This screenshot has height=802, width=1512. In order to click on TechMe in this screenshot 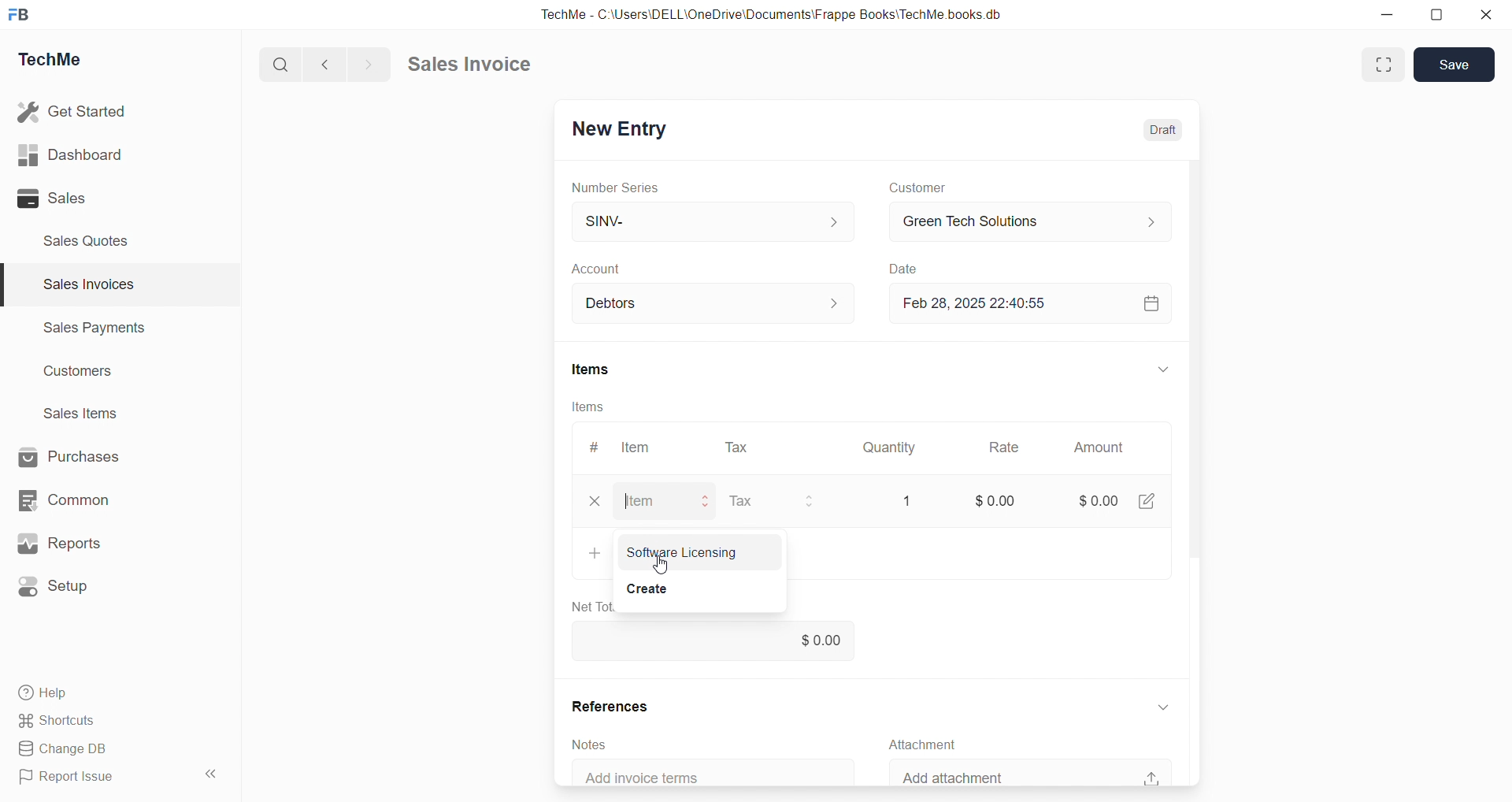, I will do `click(50, 60)`.